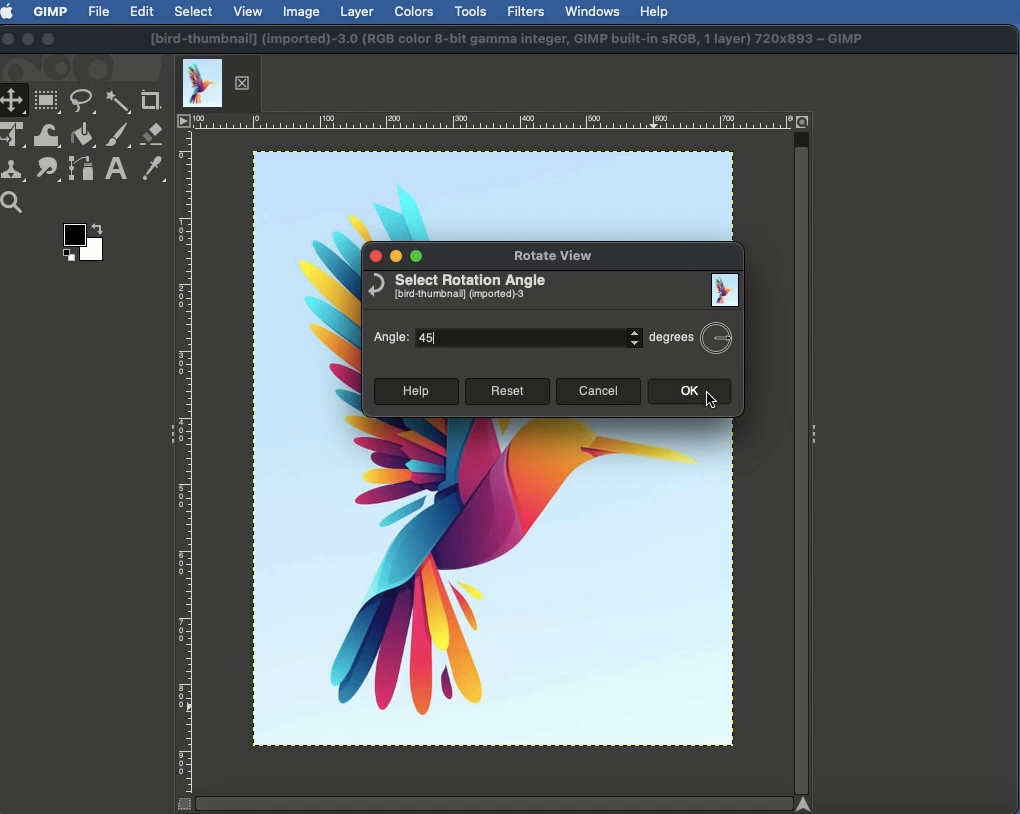 This screenshot has height=814, width=1020. I want to click on File, so click(100, 10).